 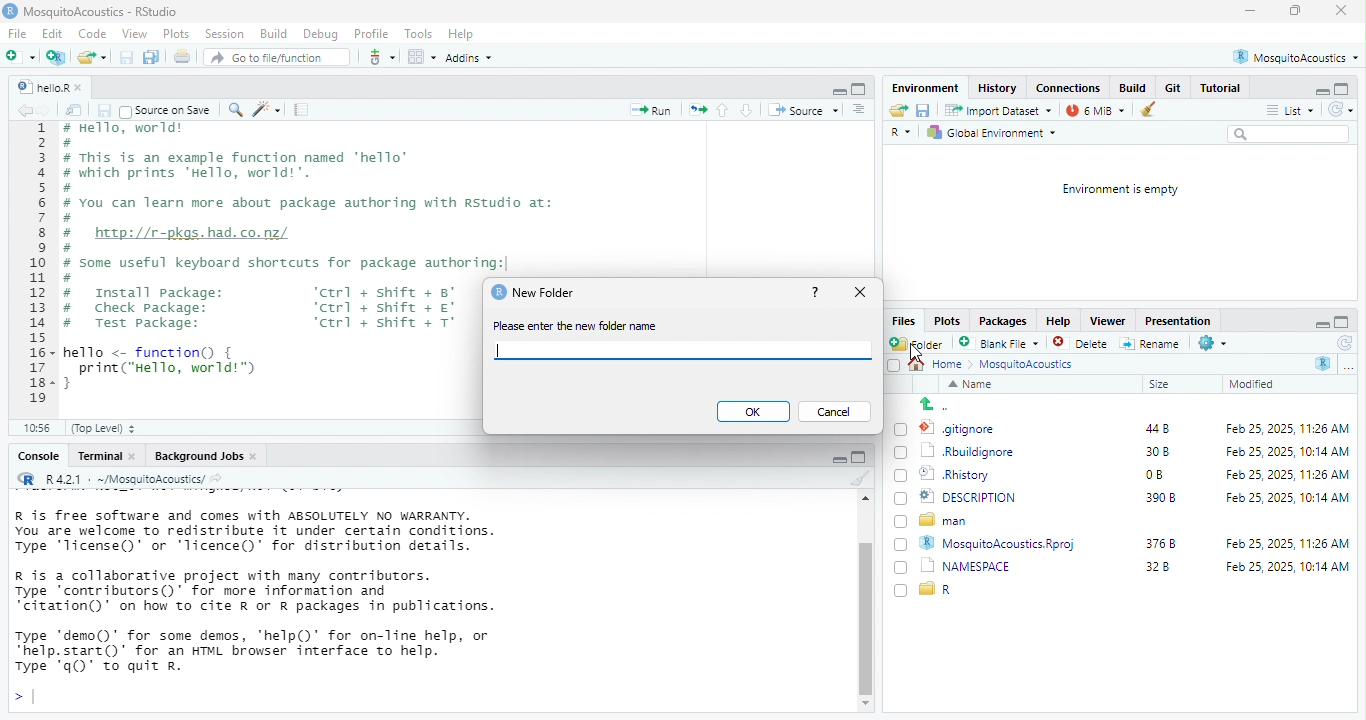 I want to click on R is free software and comes with ABSOLUTELY NO WARRANTY.
You are welcome to redistribute it under certain conditions.
Type 'Ticense()' or 'licence()’ for distribution details.

R is a collaborative project with many contributors.

Type ‘contributors()’ for more information and

“citation()’ on how to cite R or R packages in publications.
Type ‘demo()' for some demos, ‘'help()’ for on-line help, or
“help. start()’ for an HTML browser interface to help.

Type 'q0)" to quit R., so click(x=293, y=585).